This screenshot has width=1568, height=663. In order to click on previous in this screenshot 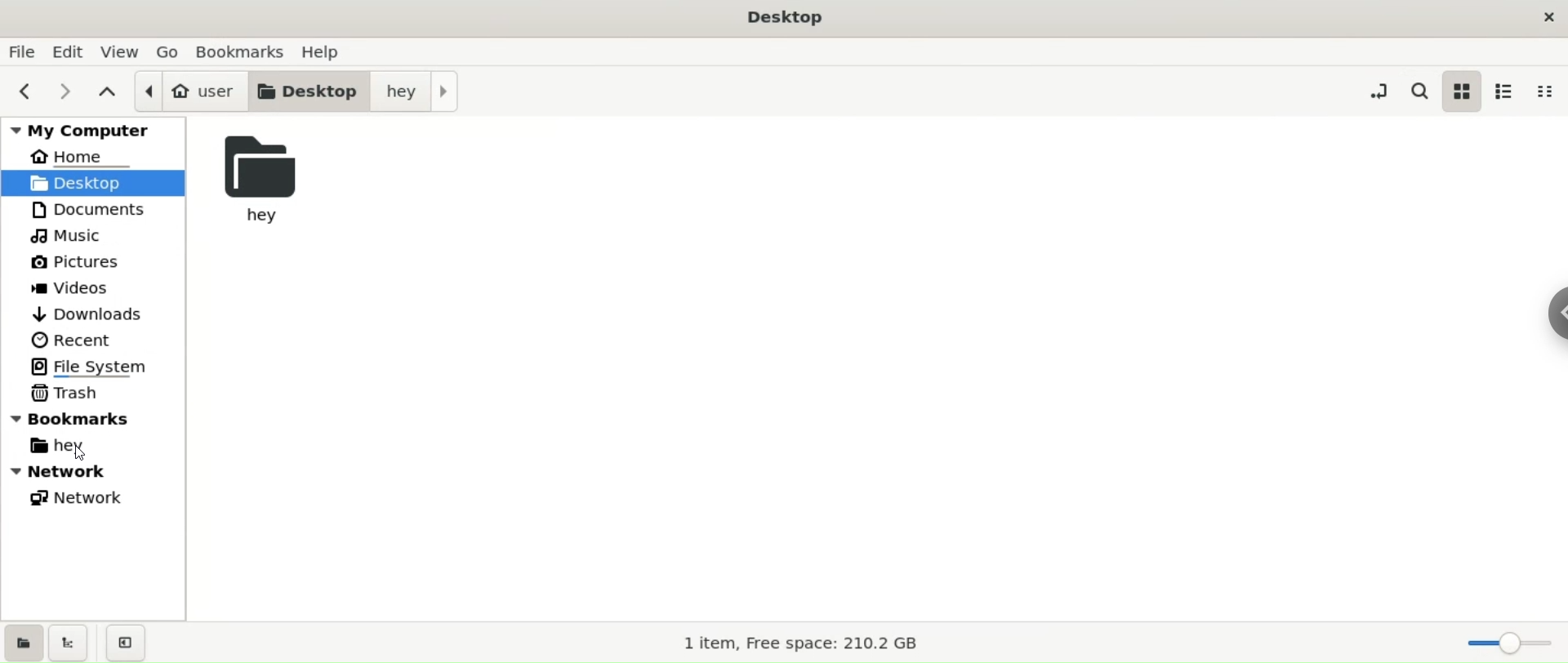, I will do `click(23, 91)`.